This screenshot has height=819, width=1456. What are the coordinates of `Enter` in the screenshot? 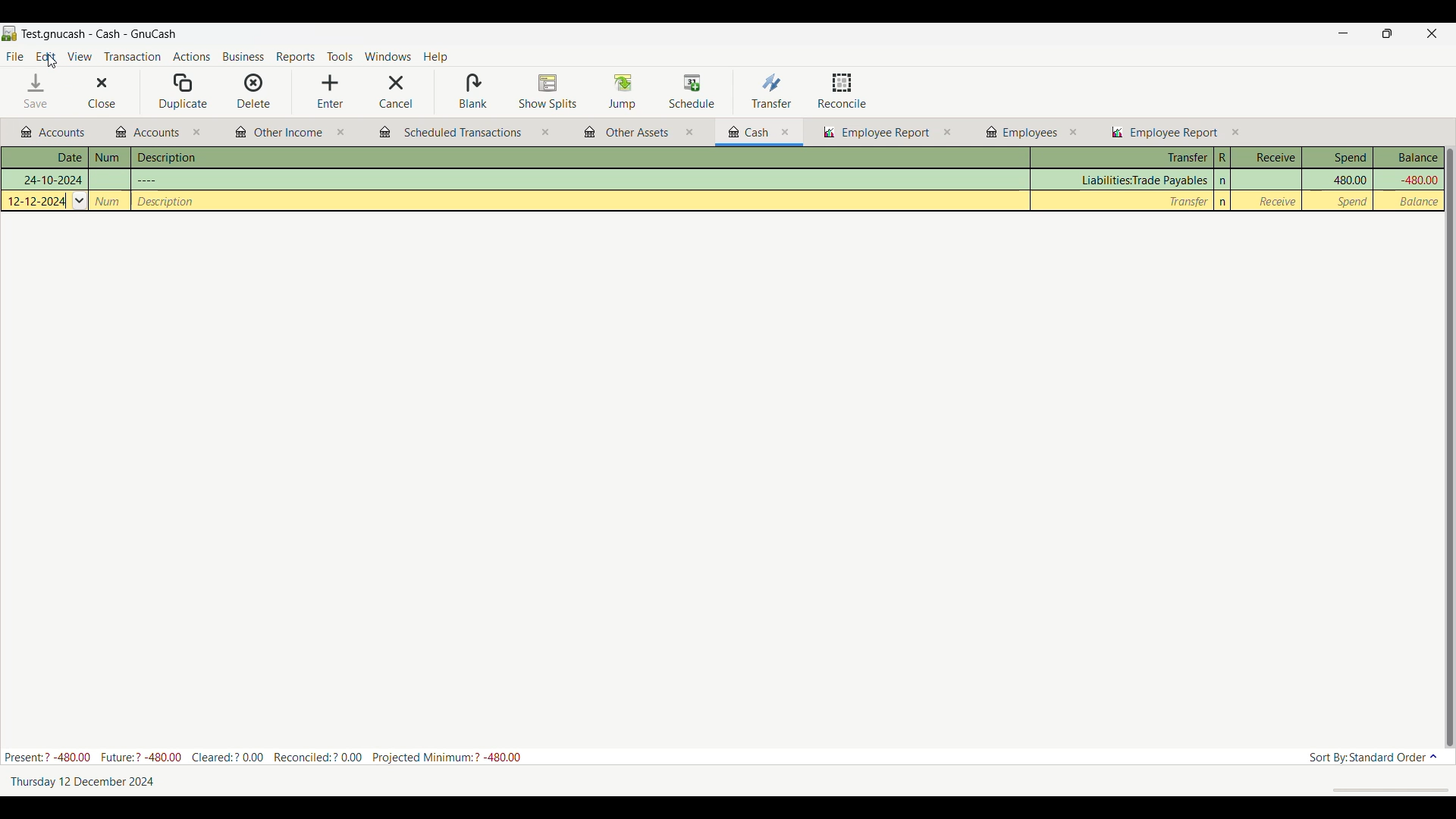 It's located at (329, 92).